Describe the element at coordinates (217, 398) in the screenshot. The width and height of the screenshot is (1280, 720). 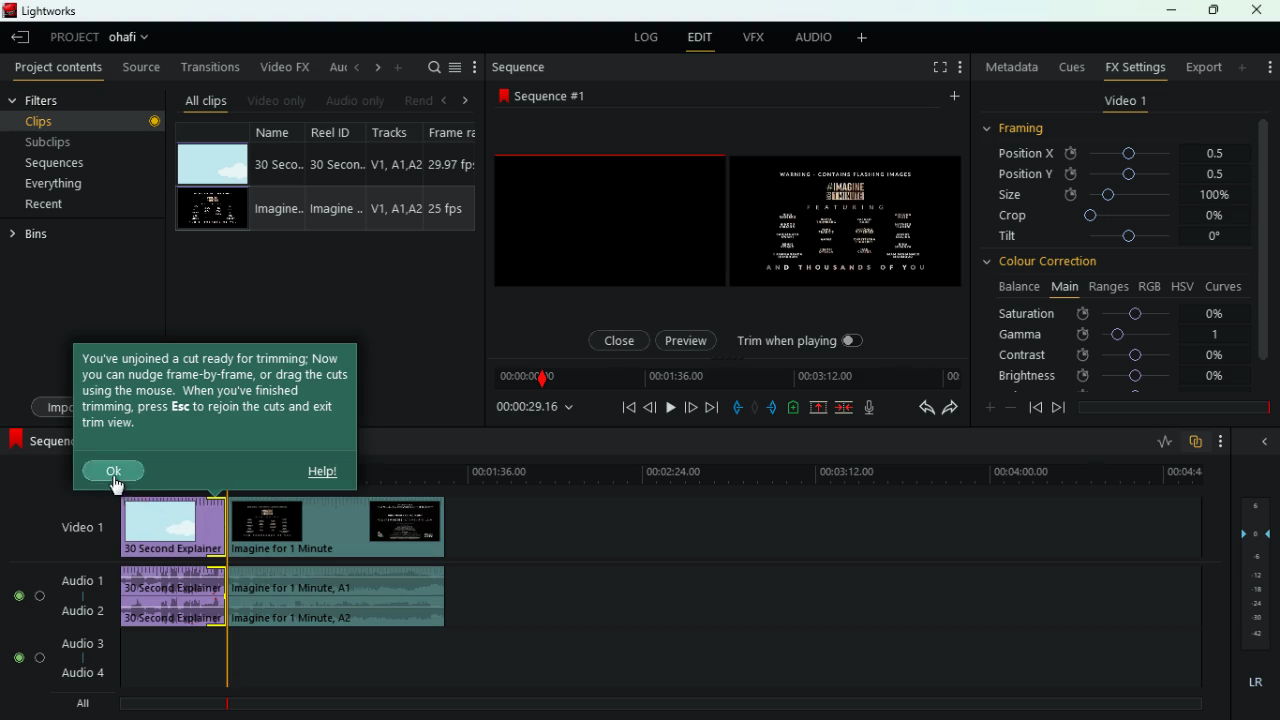
I see `message` at that location.